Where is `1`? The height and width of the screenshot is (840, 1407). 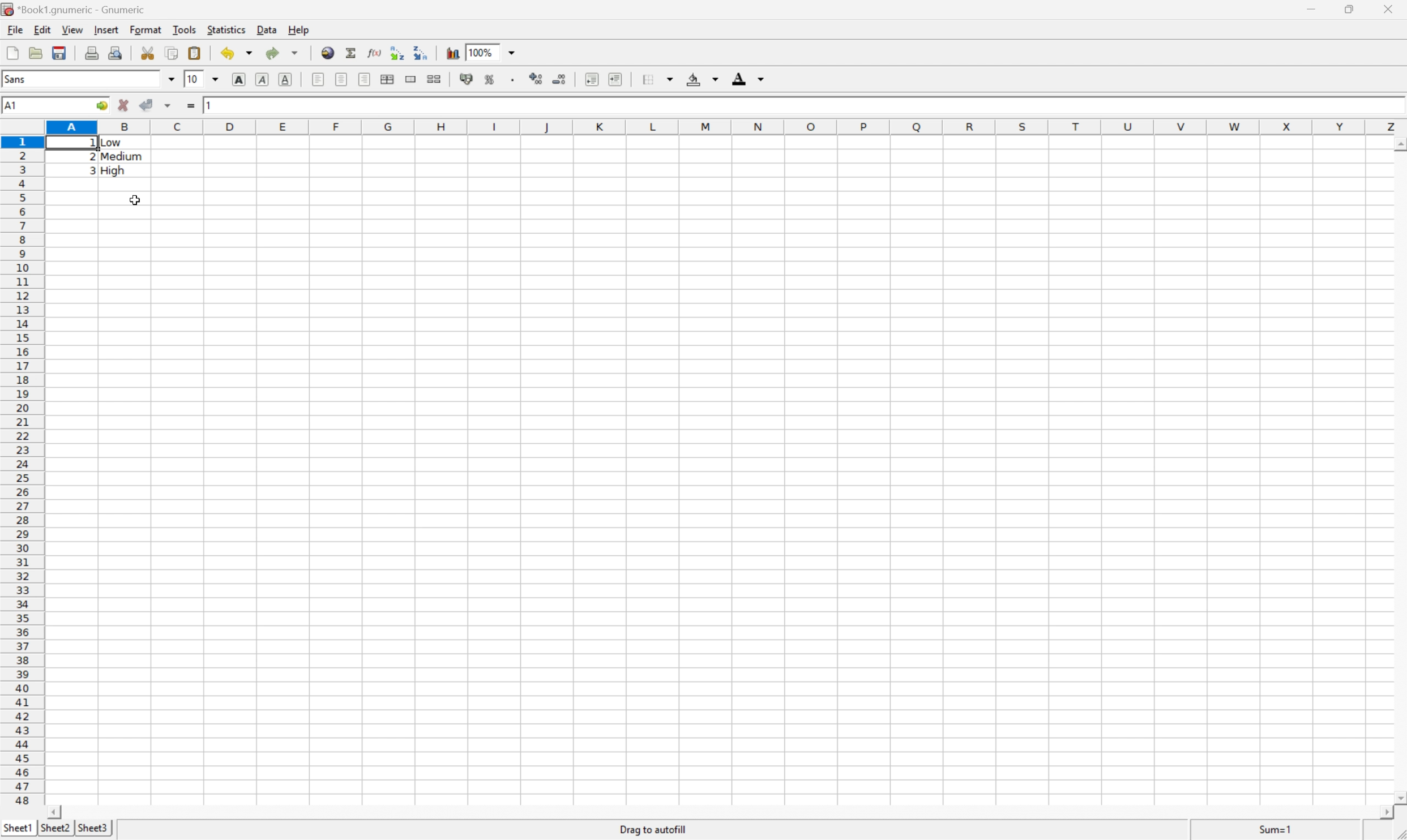
1 is located at coordinates (208, 106).